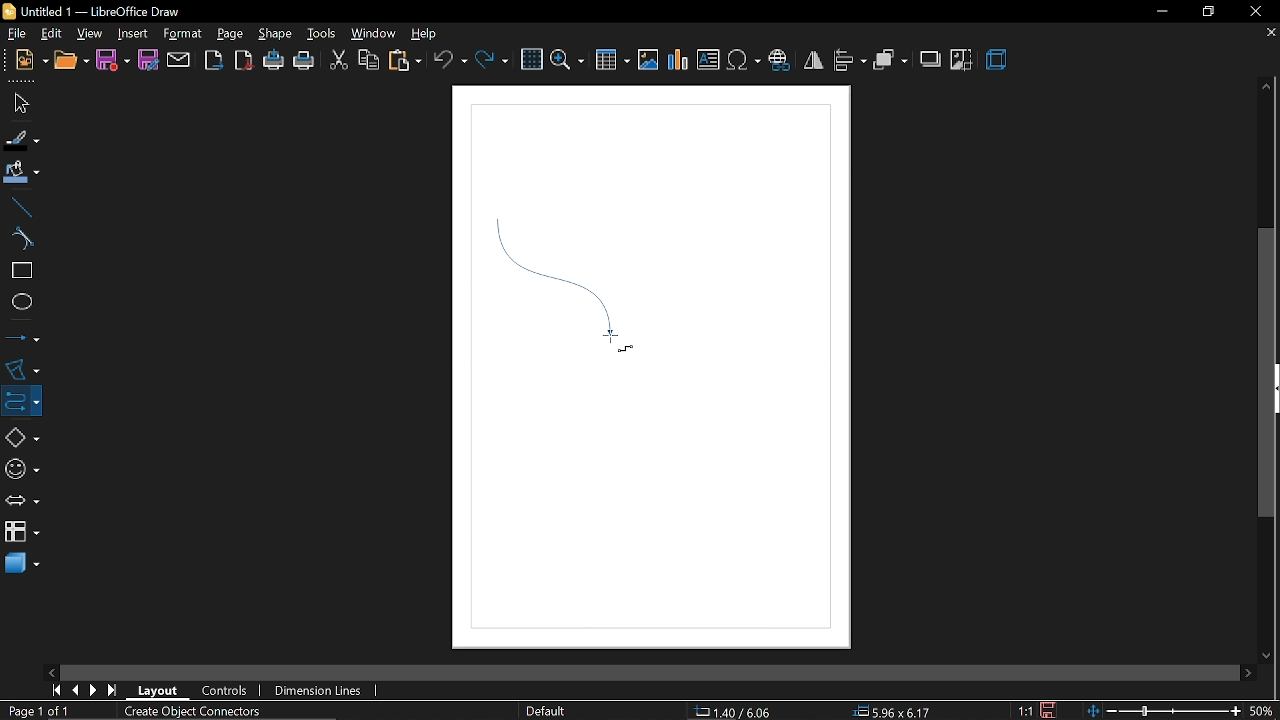 The height and width of the screenshot is (720, 1280). Describe the element at coordinates (24, 62) in the screenshot. I see `new` at that location.